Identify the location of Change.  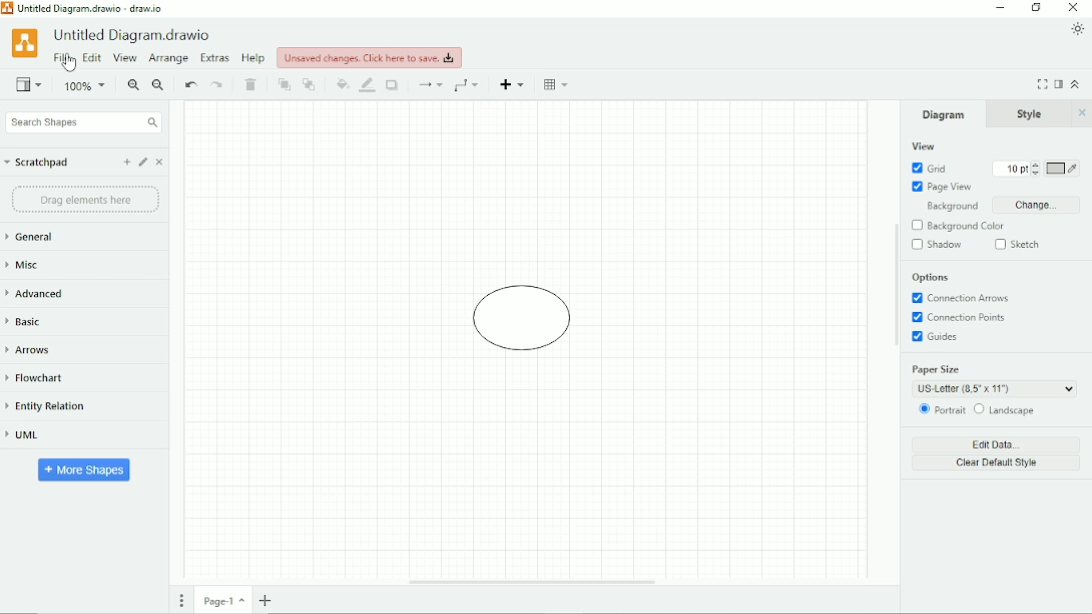
(1041, 205).